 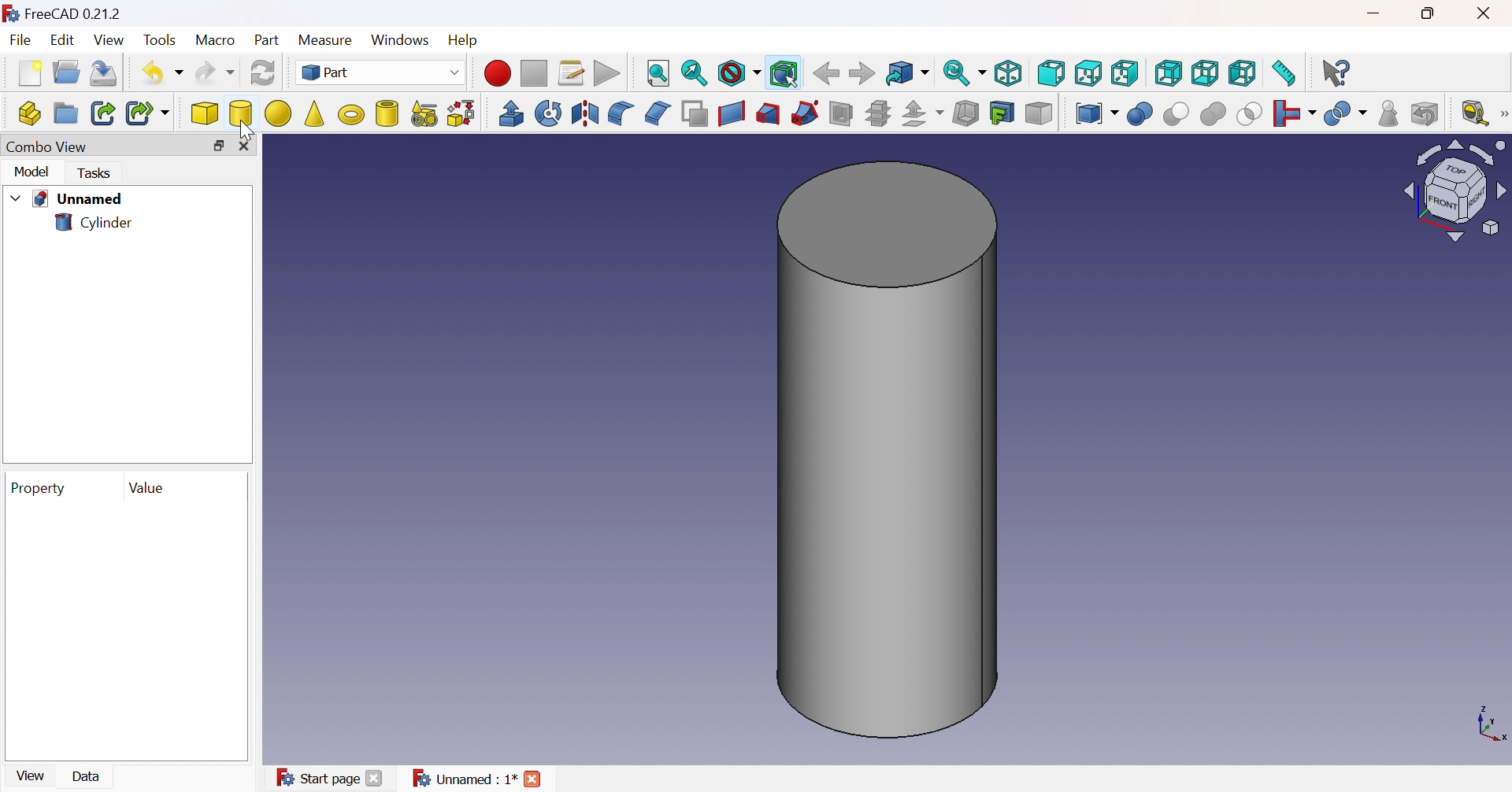 What do you see at coordinates (213, 73) in the screenshot?
I see `Redo` at bounding box center [213, 73].